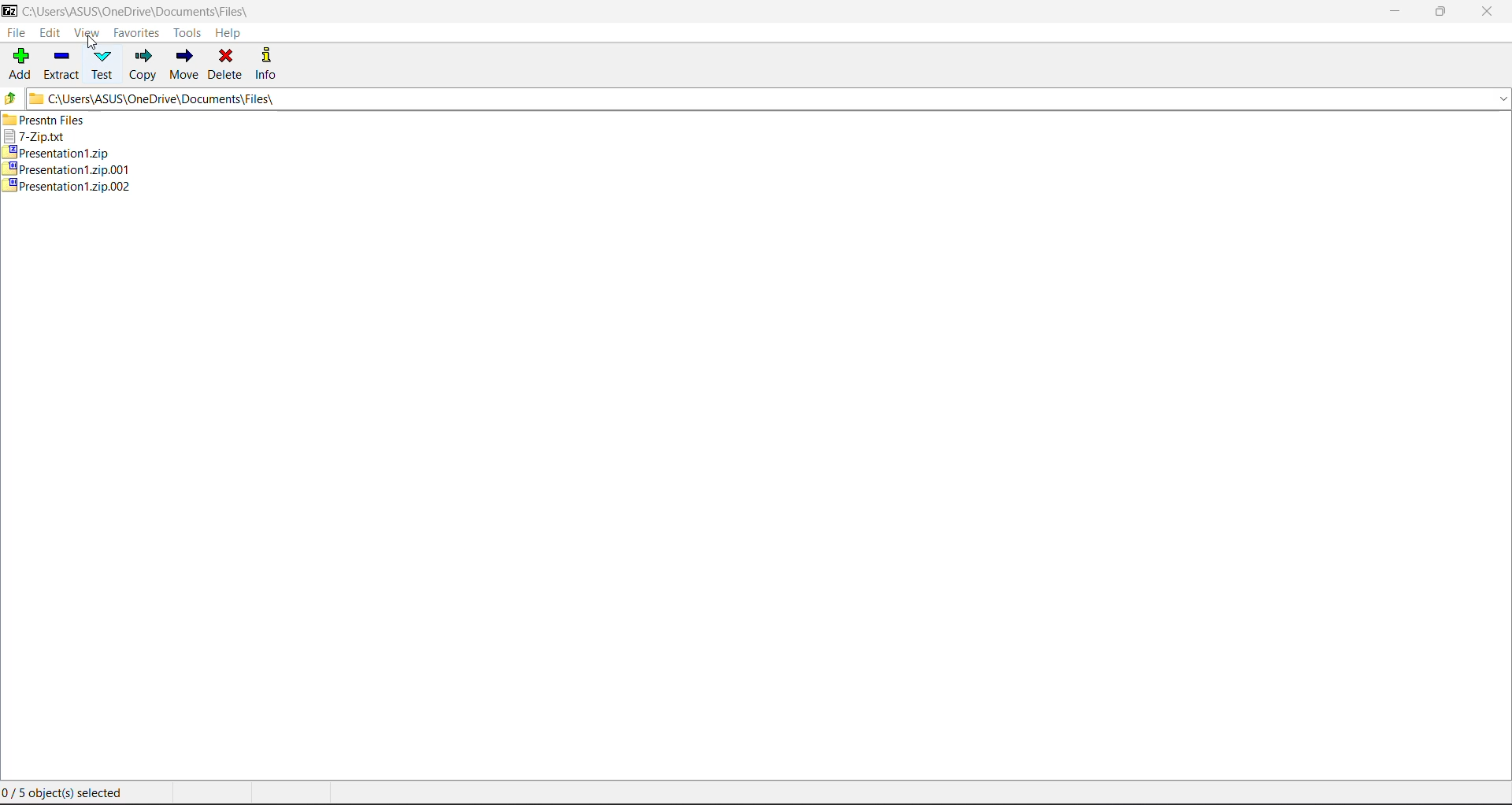 The image size is (1512, 805). Describe the element at coordinates (69, 187) in the screenshot. I see `Presentation1.zip.002` at that location.